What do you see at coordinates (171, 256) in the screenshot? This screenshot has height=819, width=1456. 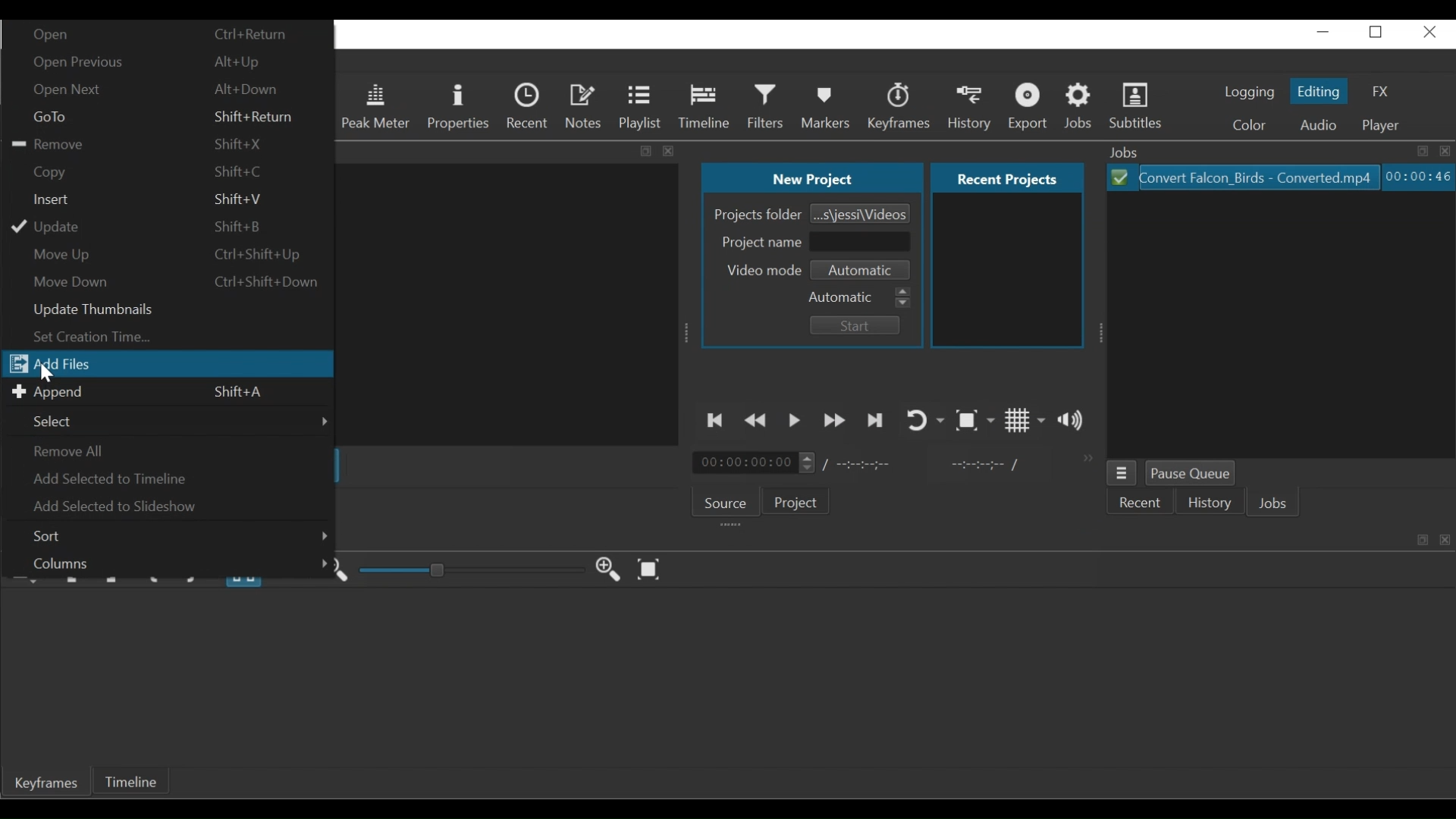 I see `Move Up` at bounding box center [171, 256].